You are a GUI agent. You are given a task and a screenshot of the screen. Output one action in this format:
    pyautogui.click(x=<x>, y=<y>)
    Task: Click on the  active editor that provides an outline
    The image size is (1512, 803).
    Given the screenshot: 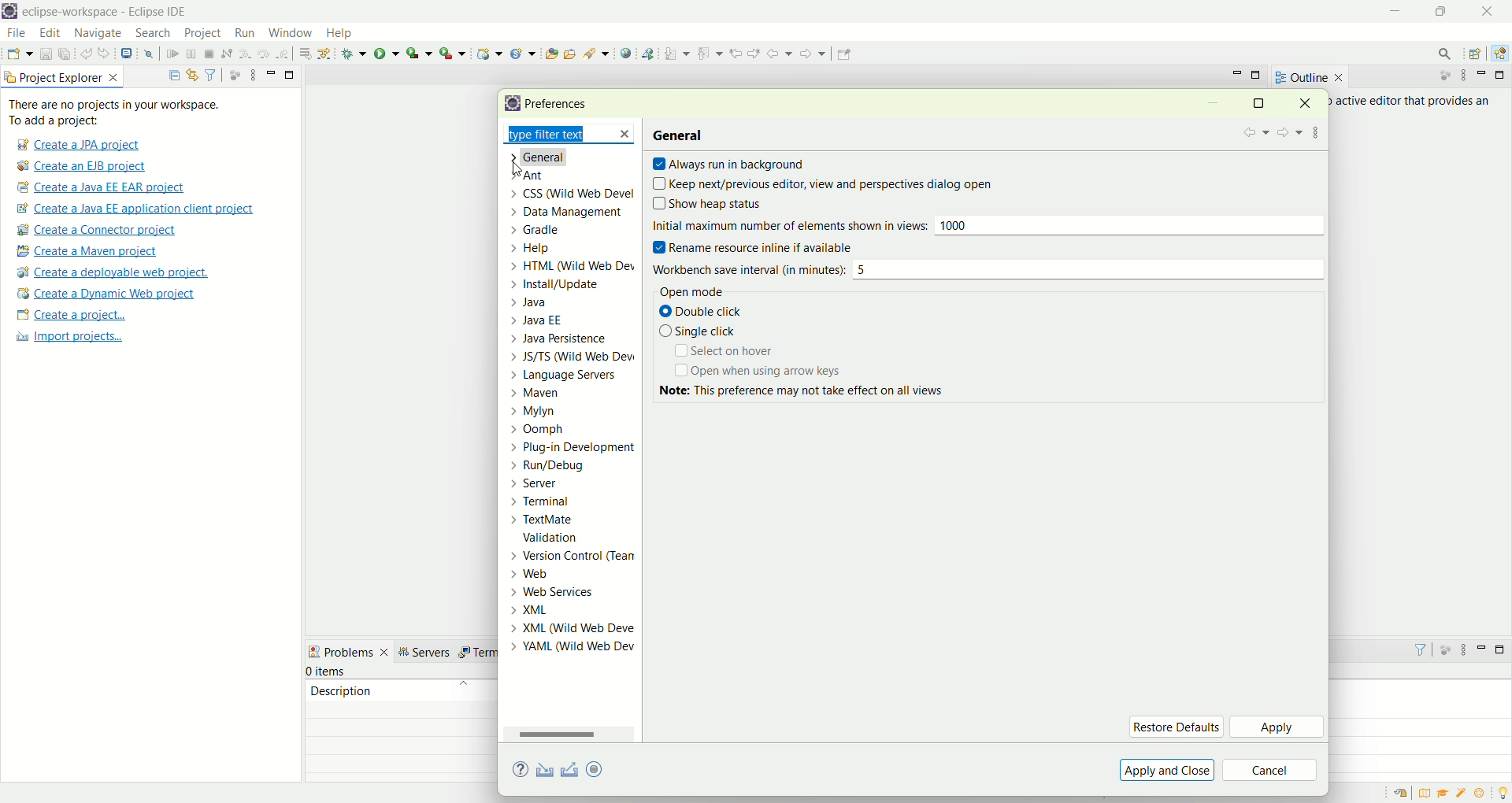 What is the action you would take?
    pyautogui.click(x=1414, y=102)
    